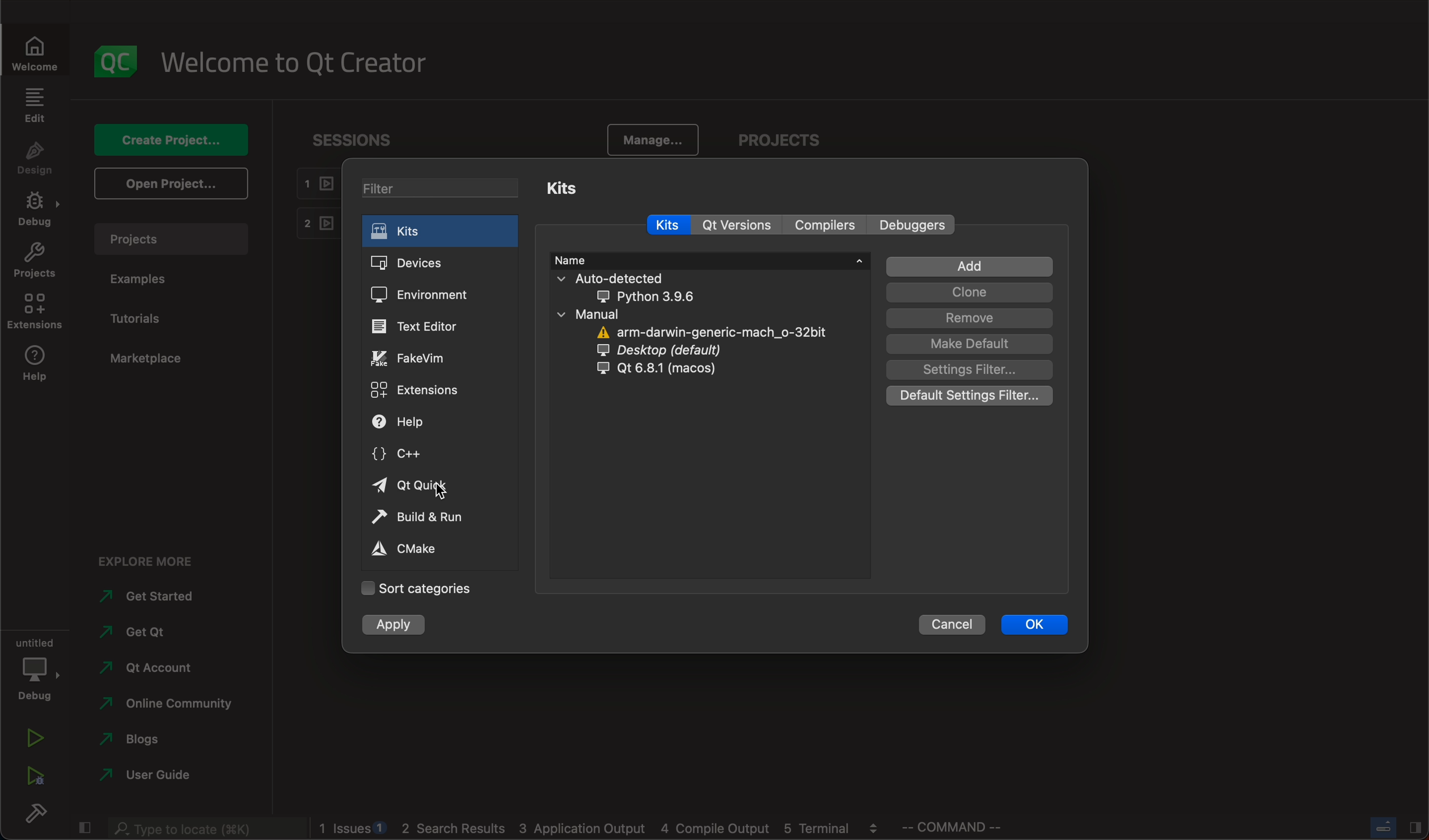  Describe the element at coordinates (741, 224) in the screenshot. I see `qt versions` at that location.